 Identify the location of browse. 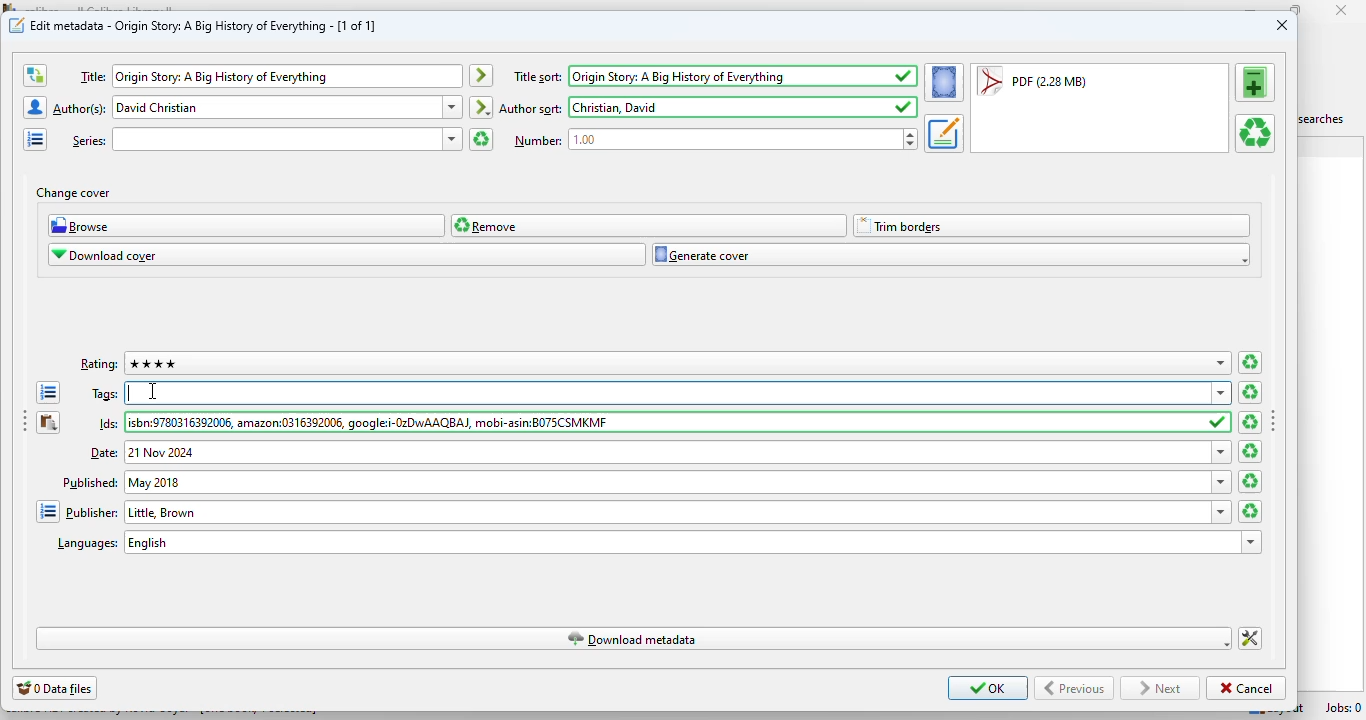
(247, 225).